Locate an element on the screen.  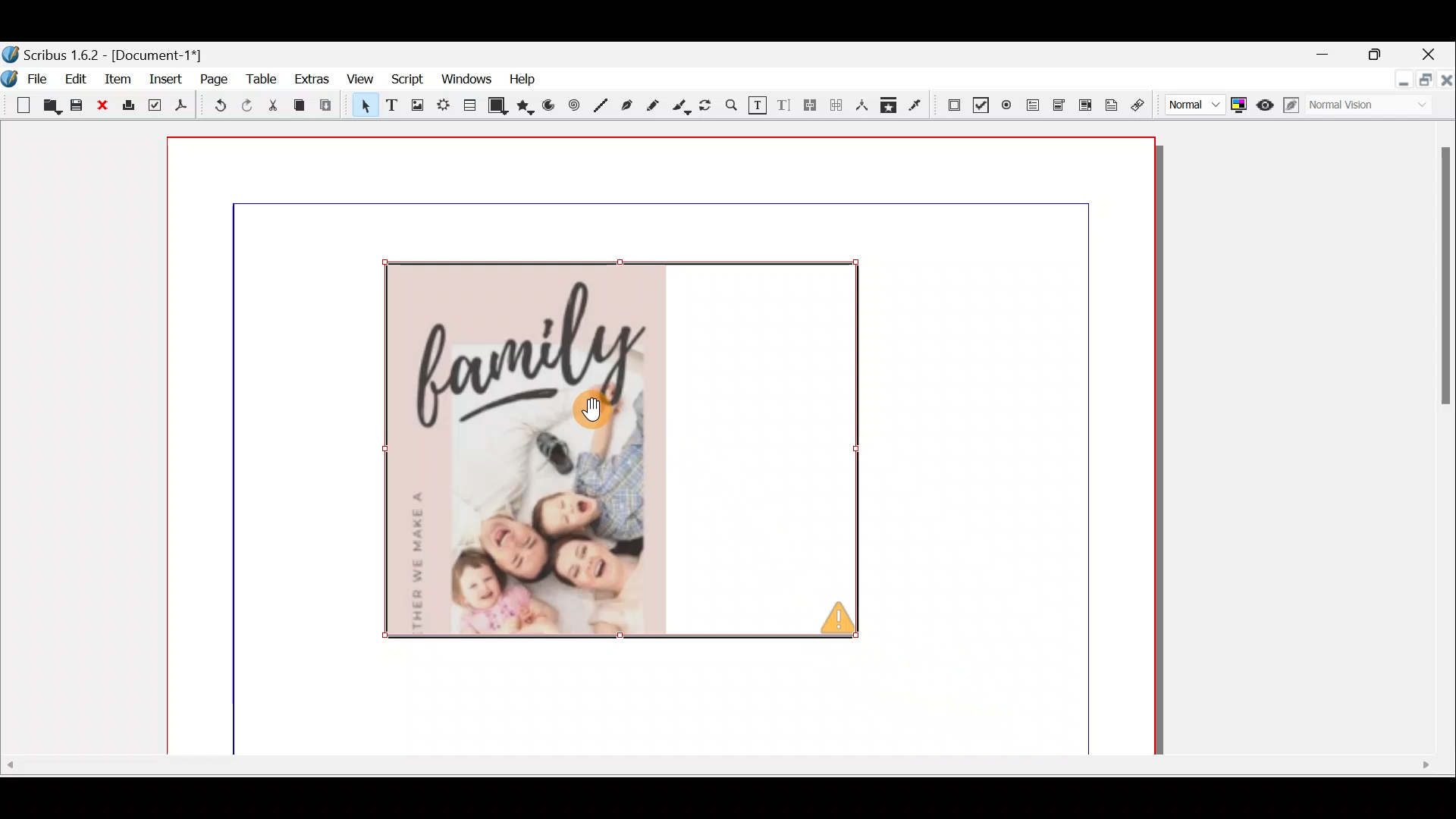
Help is located at coordinates (531, 81).